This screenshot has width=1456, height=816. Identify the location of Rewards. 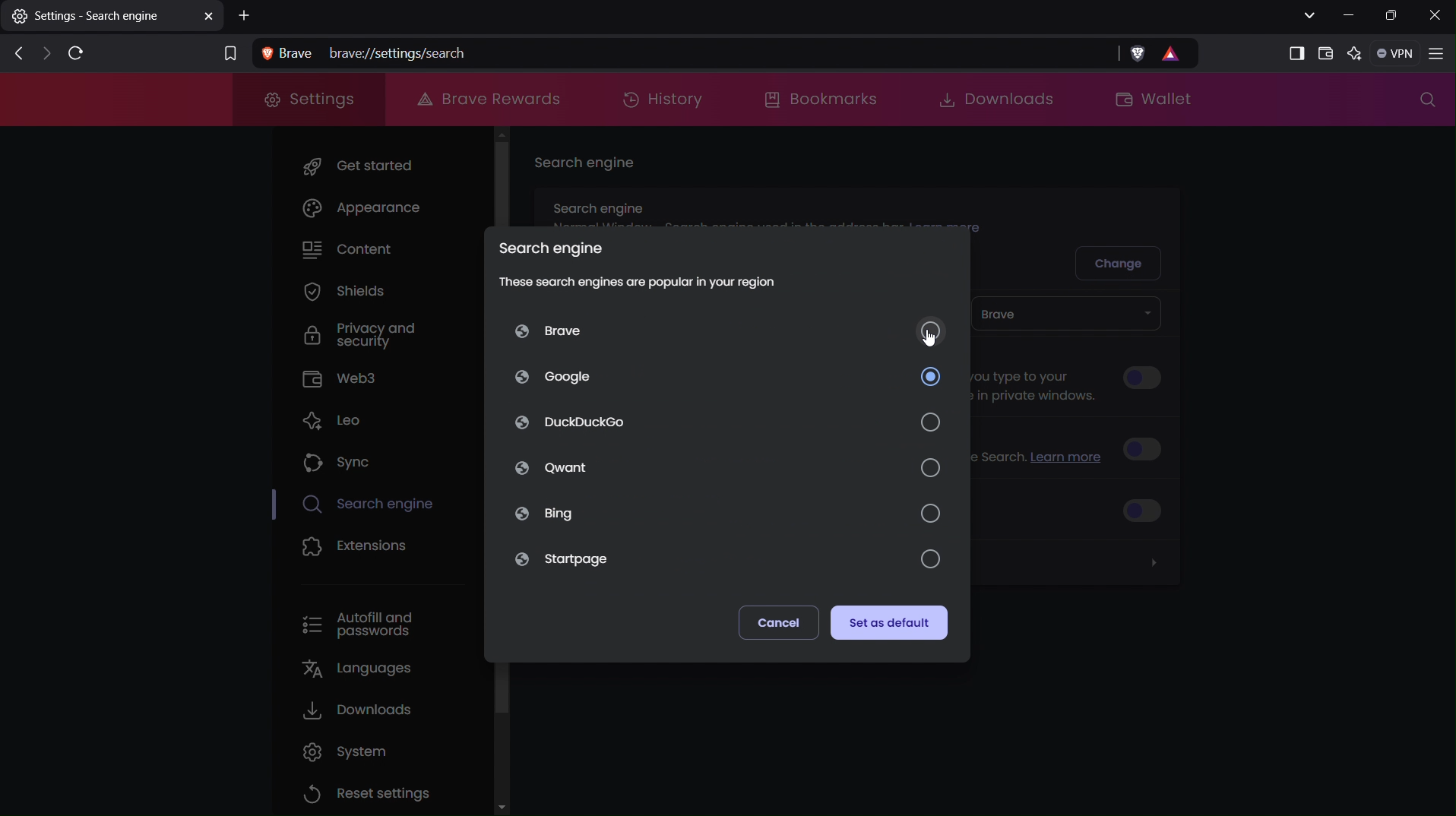
(1179, 54).